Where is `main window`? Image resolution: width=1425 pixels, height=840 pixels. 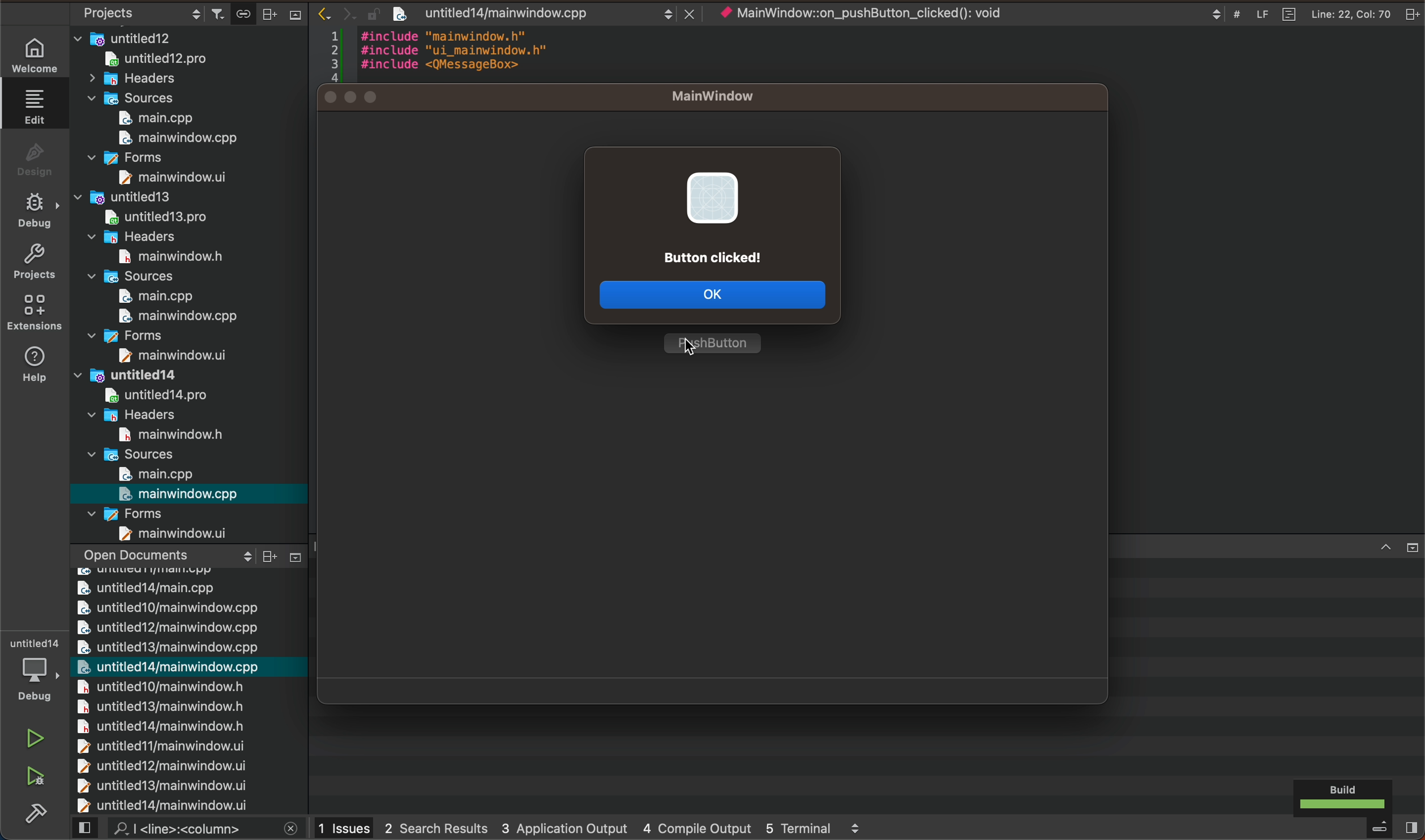 main window is located at coordinates (166, 357).